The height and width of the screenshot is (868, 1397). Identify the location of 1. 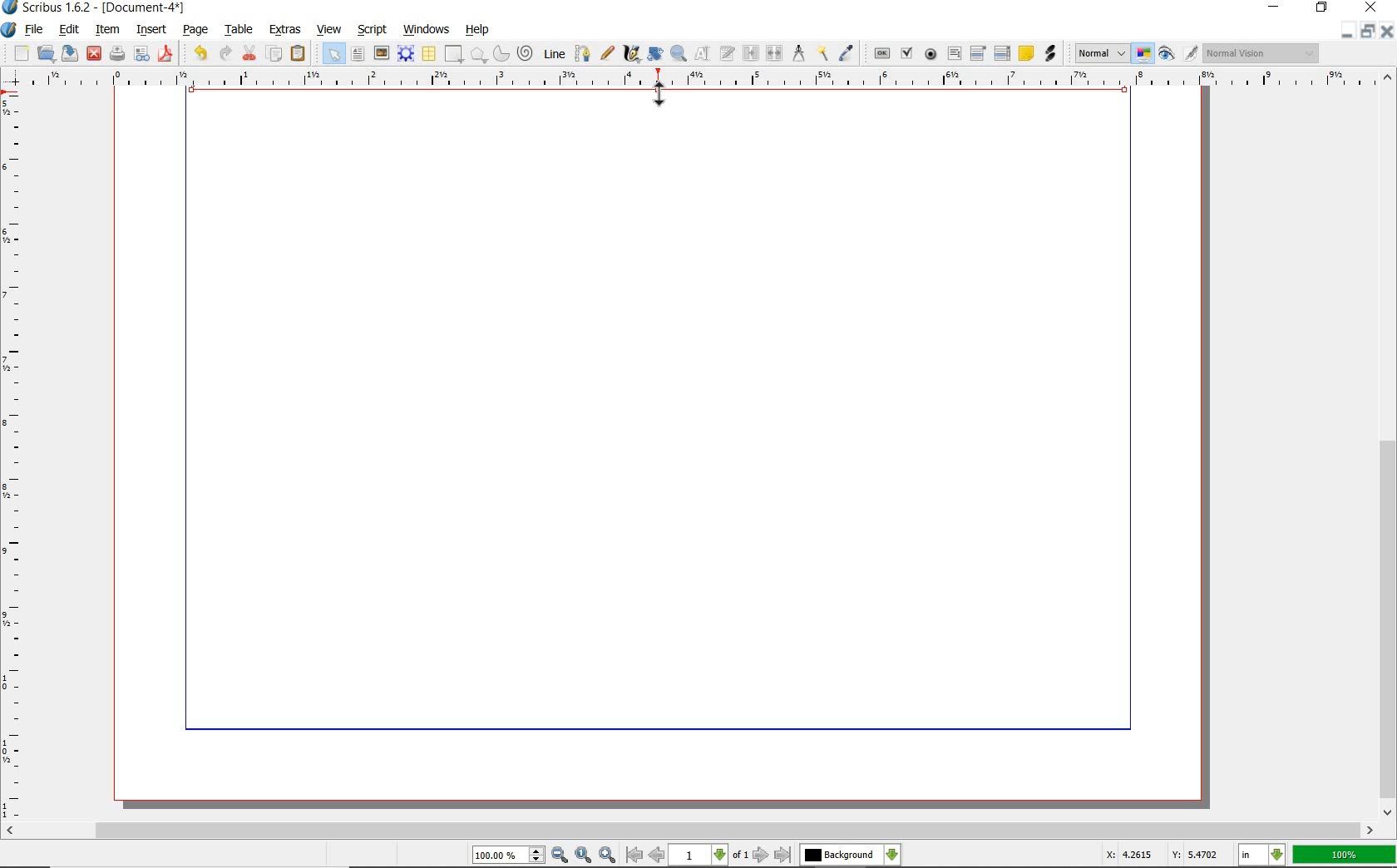
(699, 856).